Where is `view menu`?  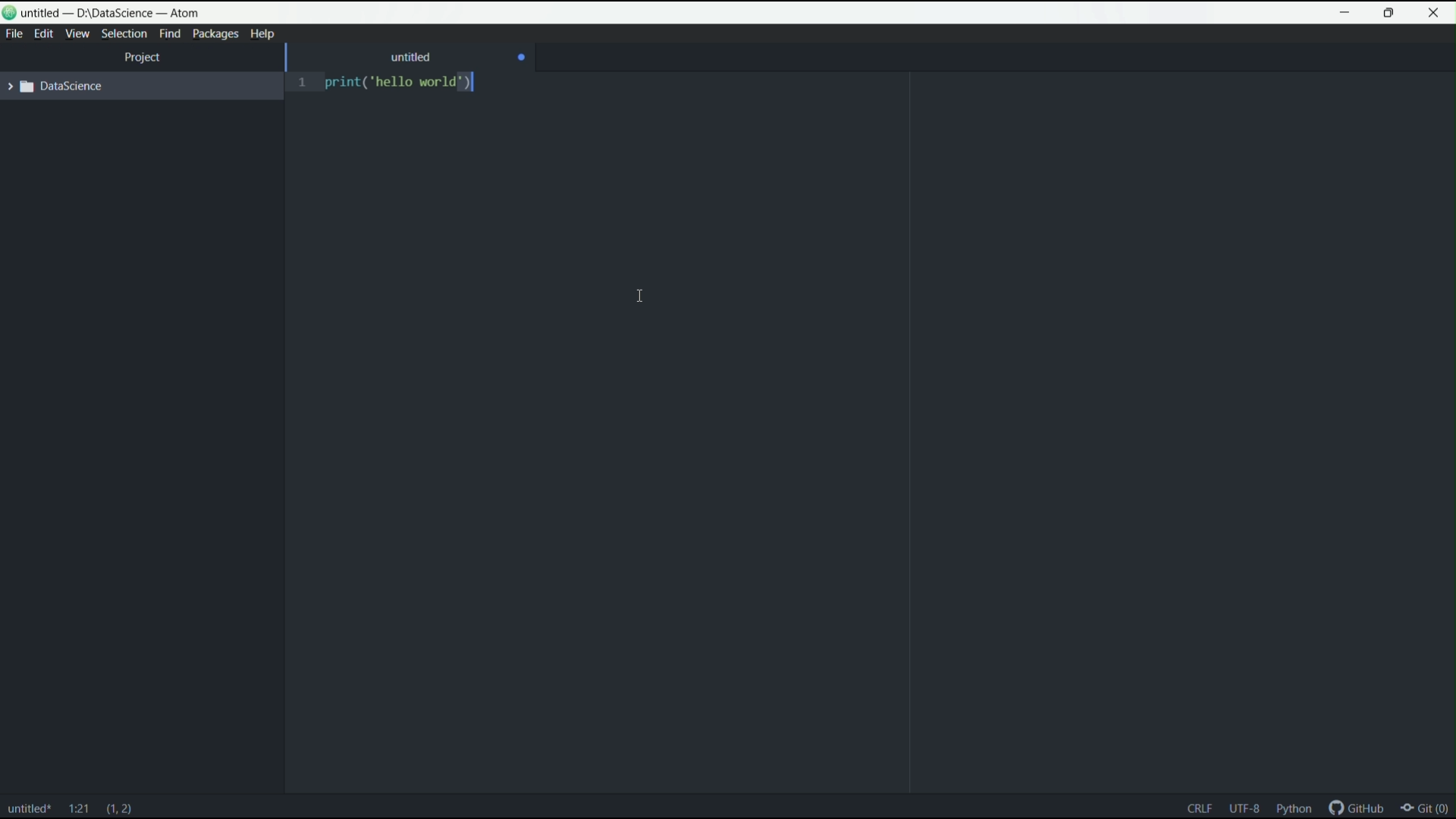 view menu is located at coordinates (77, 34).